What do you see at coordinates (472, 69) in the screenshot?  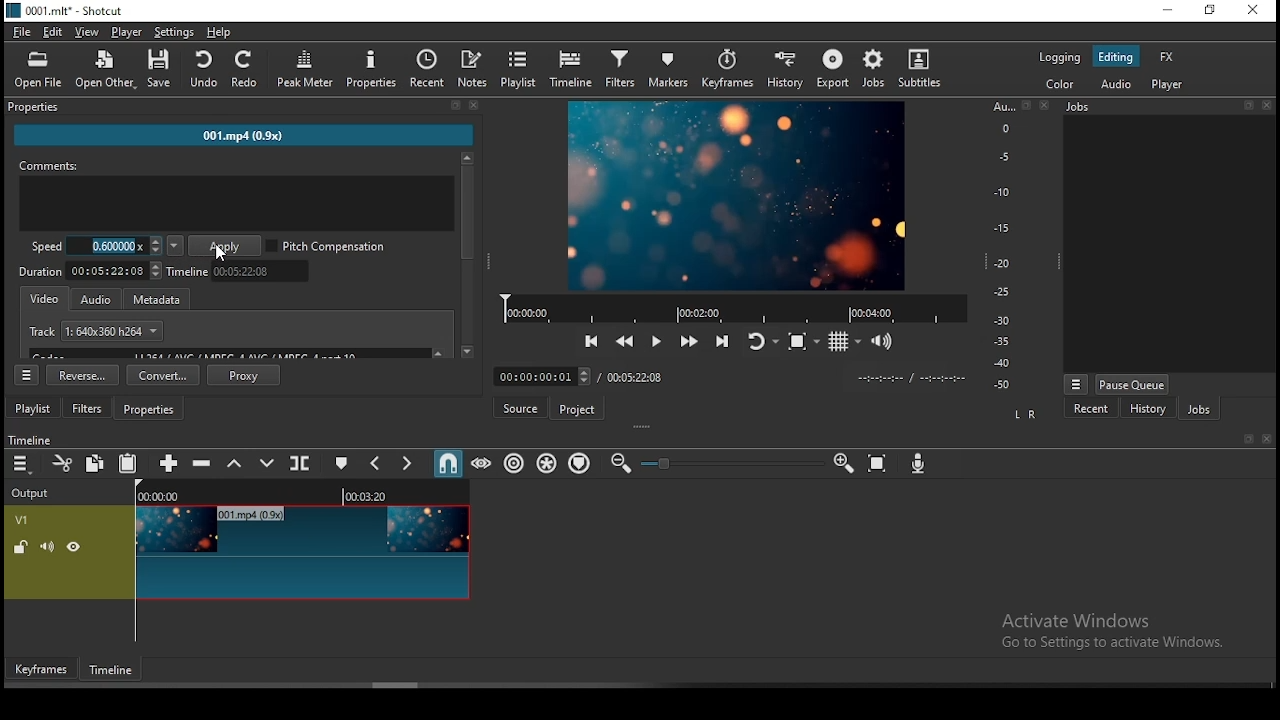 I see `notes` at bounding box center [472, 69].